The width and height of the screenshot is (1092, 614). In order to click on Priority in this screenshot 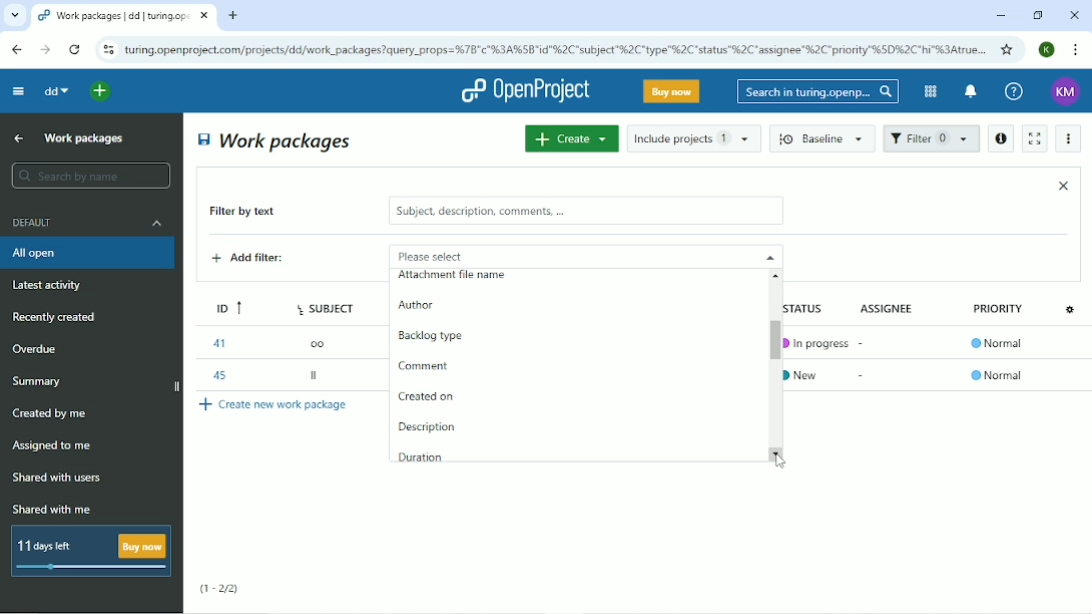, I will do `click(1000, 314)`.